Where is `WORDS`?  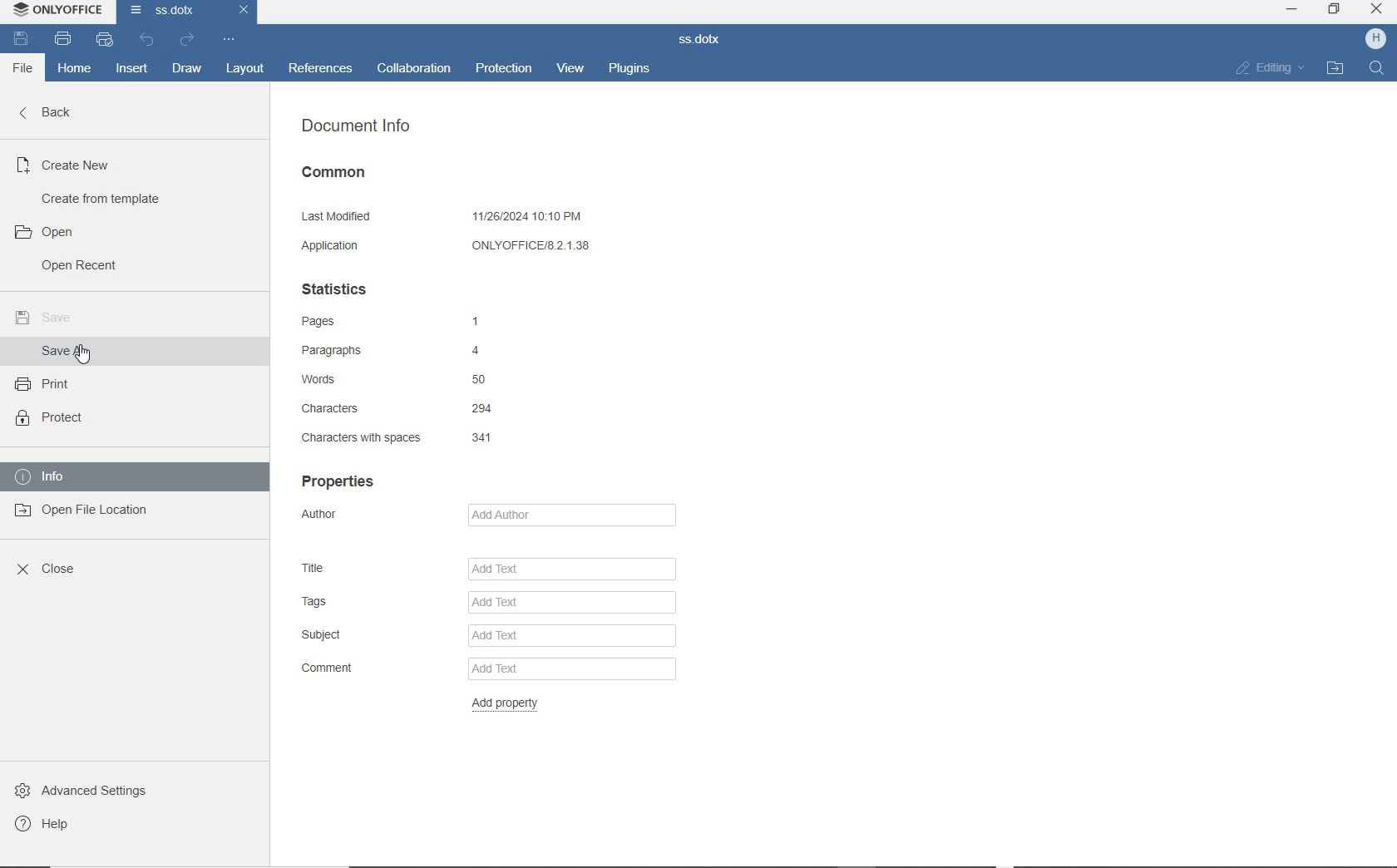
WORDS is located at coordinates (394, 380).